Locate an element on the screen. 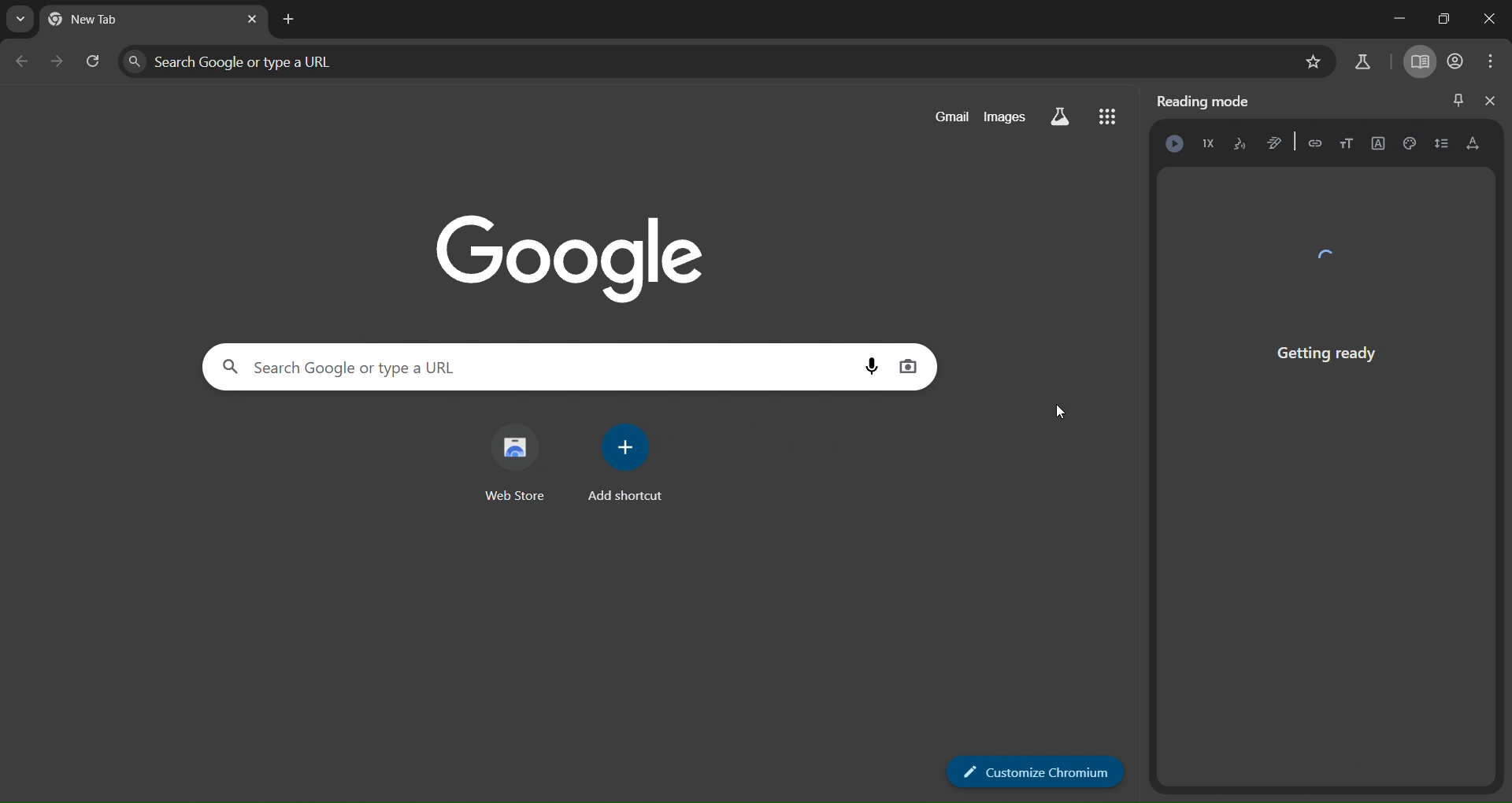  font size is located at coordinates (1346, 142).